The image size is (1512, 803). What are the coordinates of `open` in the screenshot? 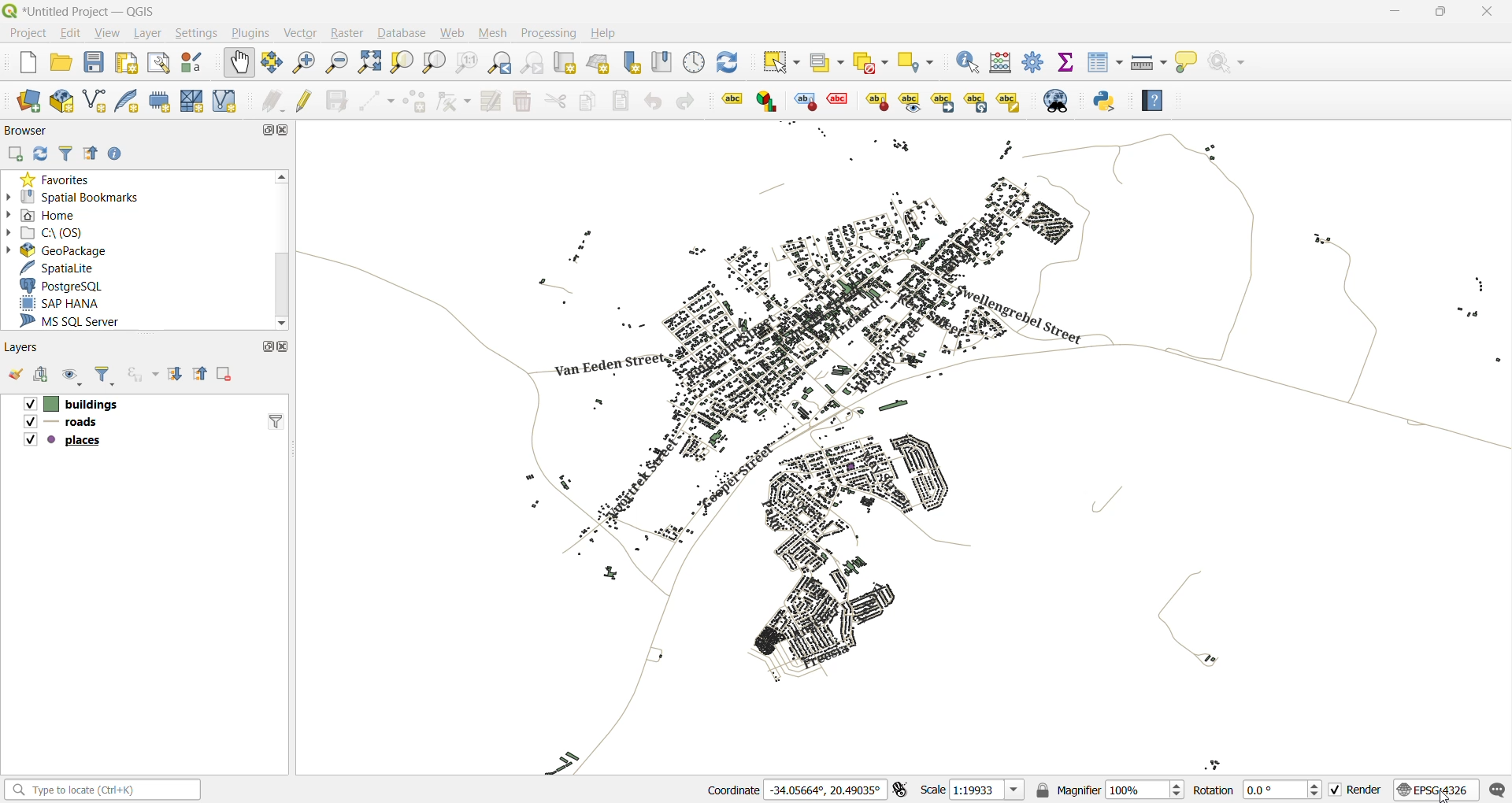 It's located at (15, 373).